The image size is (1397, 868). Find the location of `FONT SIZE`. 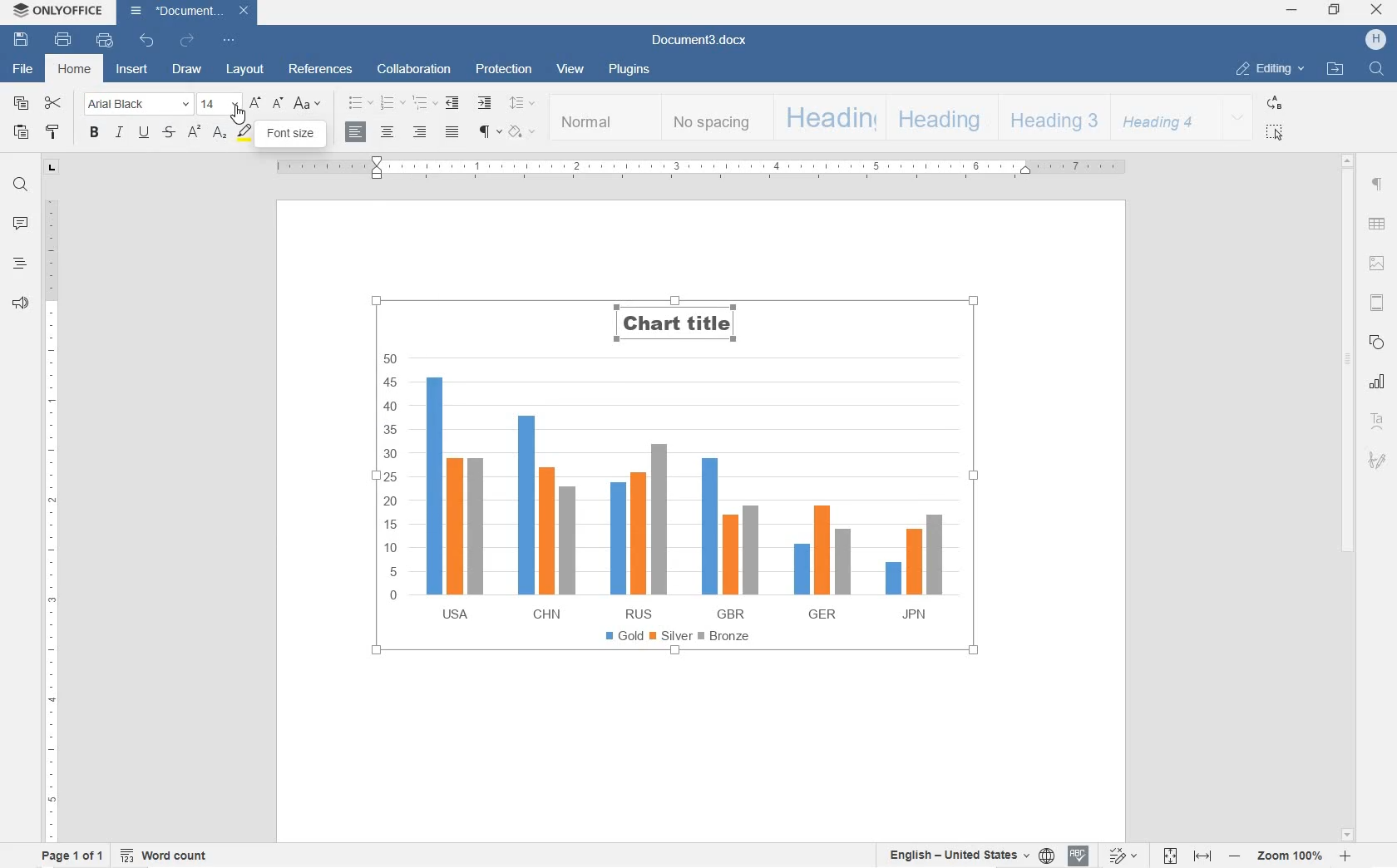

FONT SIZE is located at coordinates (220, 104).